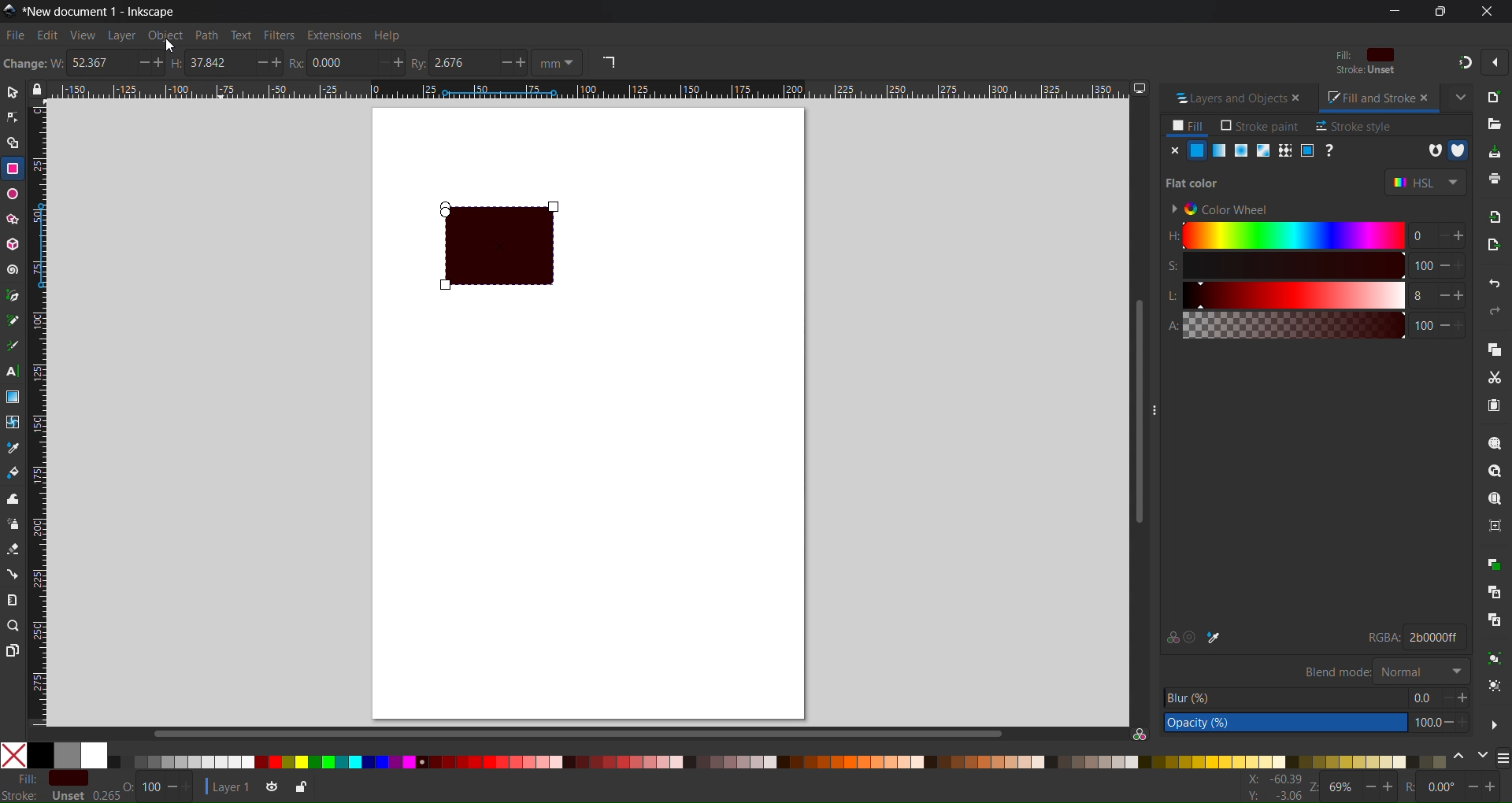  I want to click on View, so click(82, 35).